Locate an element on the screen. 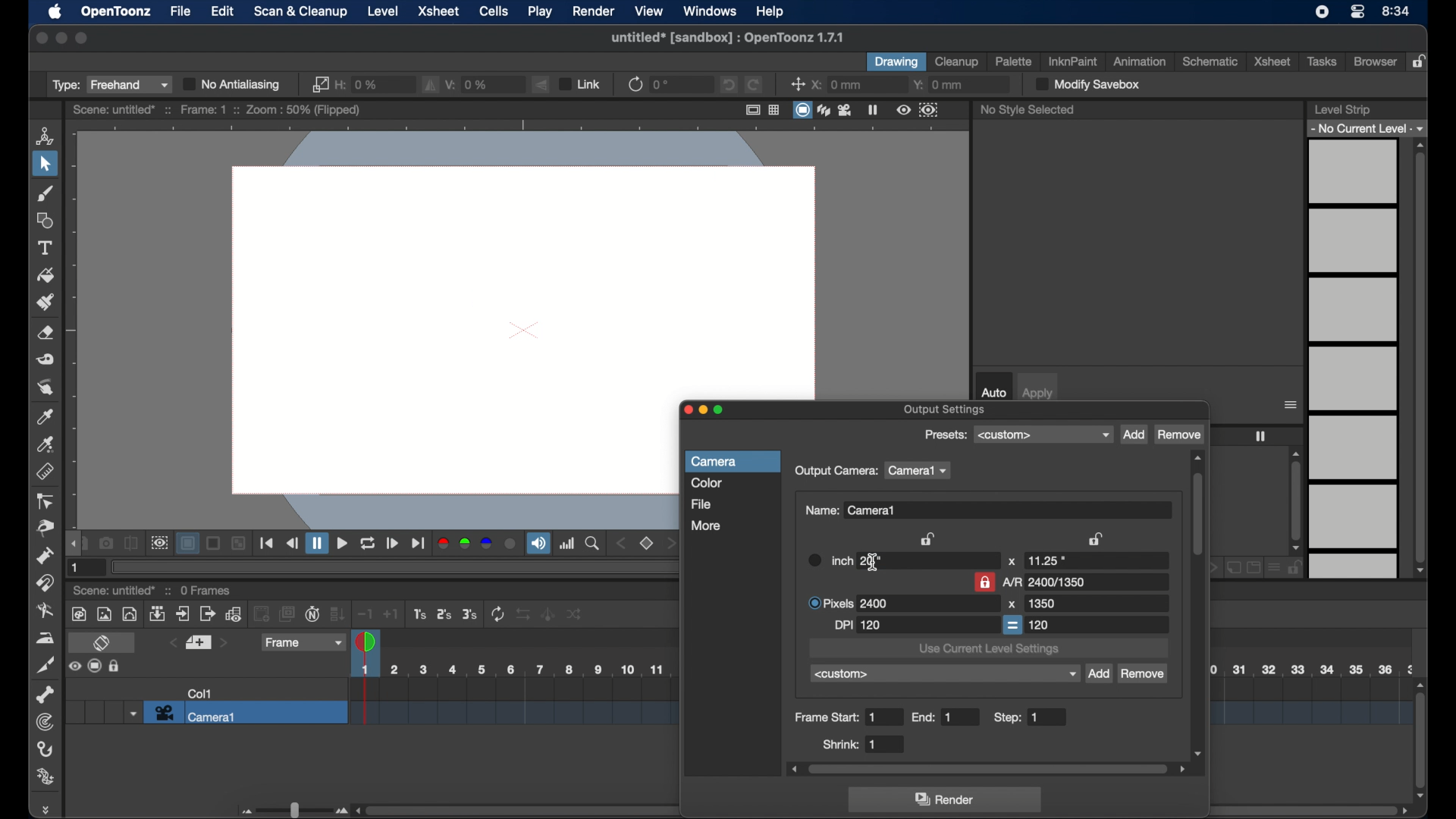  scene scale is located at coordinates (1312, 668).